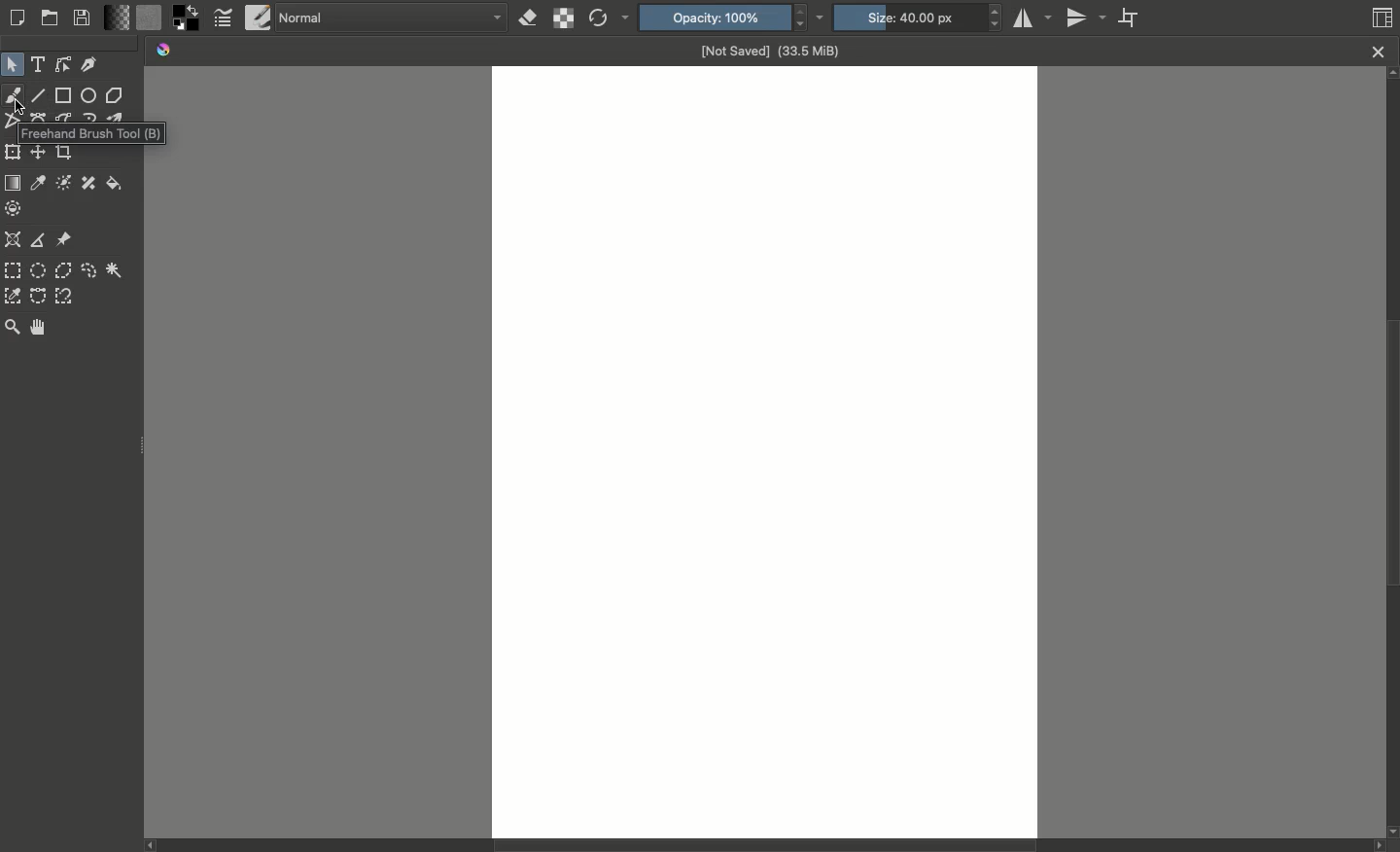 The image size is (1400, 852). What do you see at coordinates (165, 51) in the screenshot?
I see `Krita` at bounding box center [165, 51].